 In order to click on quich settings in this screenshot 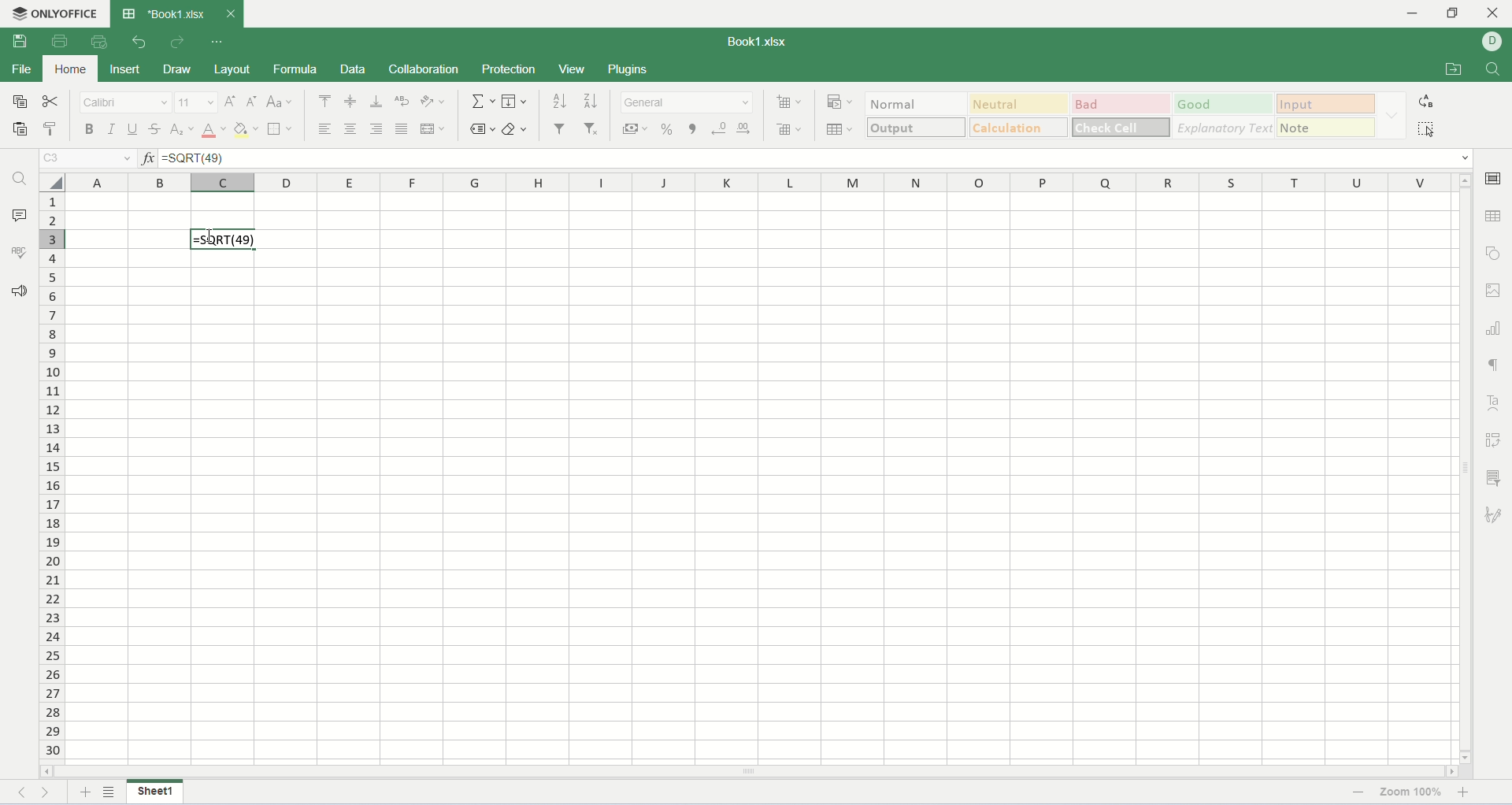, I will do `click(218, 42)`.